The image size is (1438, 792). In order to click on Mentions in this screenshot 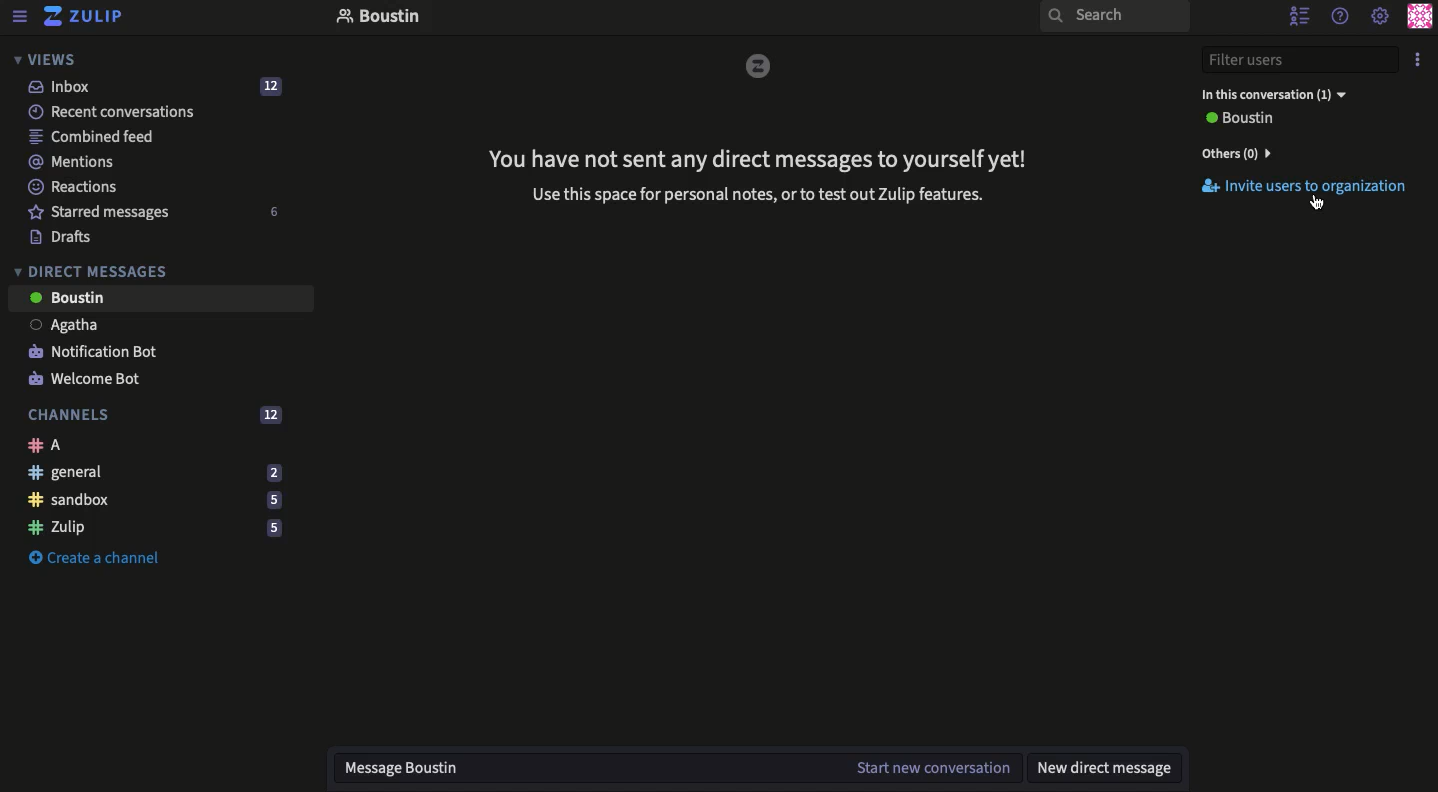, I will do `click(64, 162)`.